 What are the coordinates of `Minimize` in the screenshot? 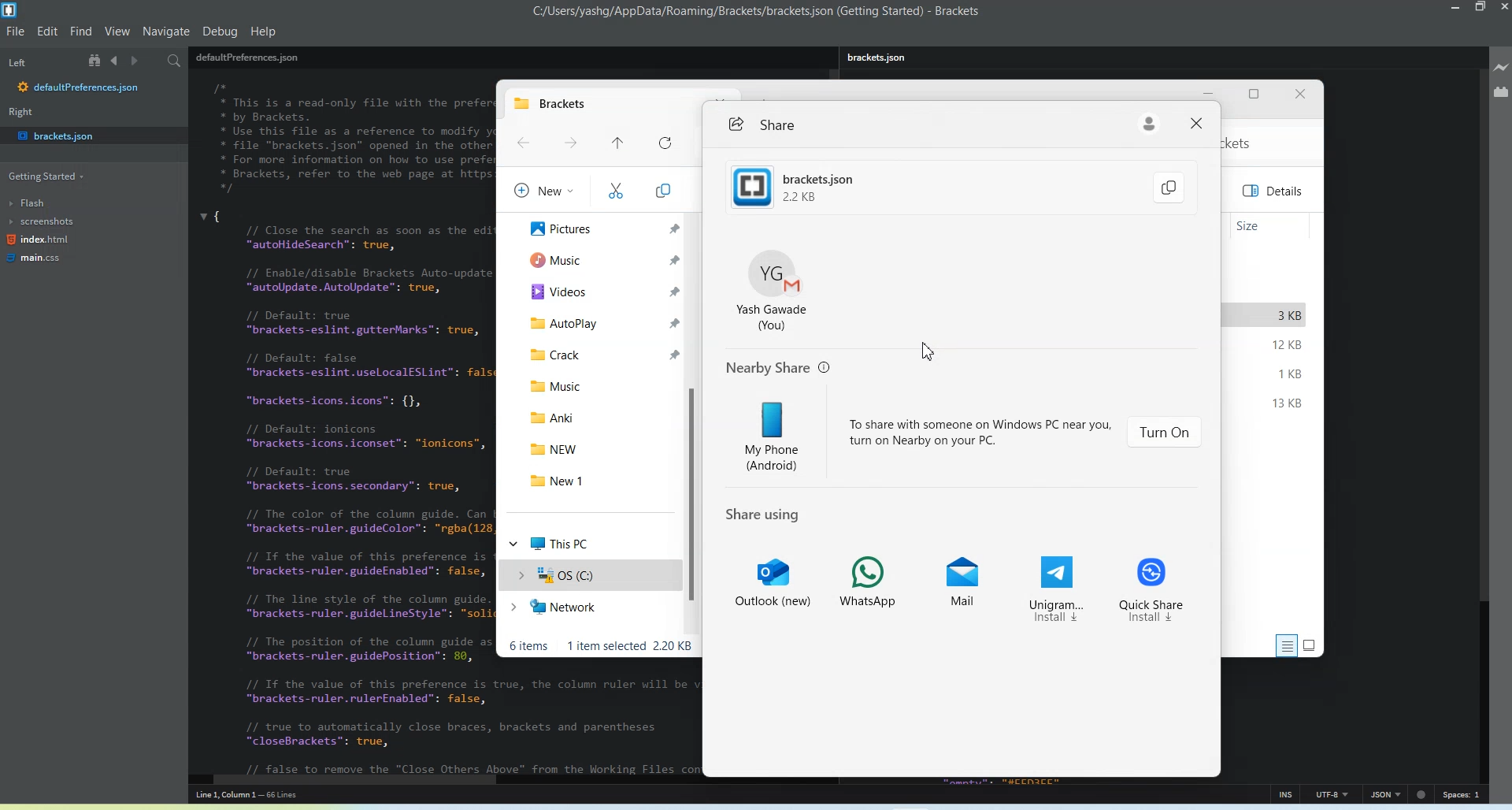 It's located at (1206, 91).